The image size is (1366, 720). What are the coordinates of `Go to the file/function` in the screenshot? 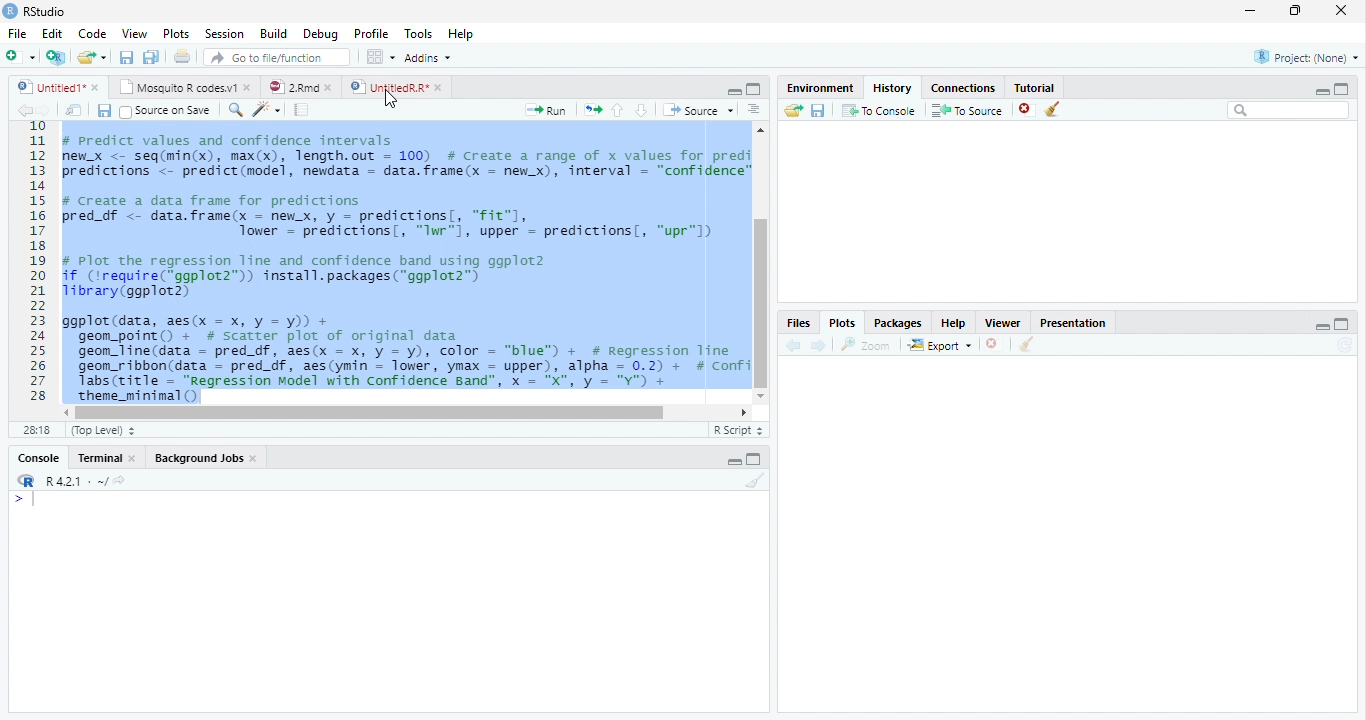 It's located at (278, 58).